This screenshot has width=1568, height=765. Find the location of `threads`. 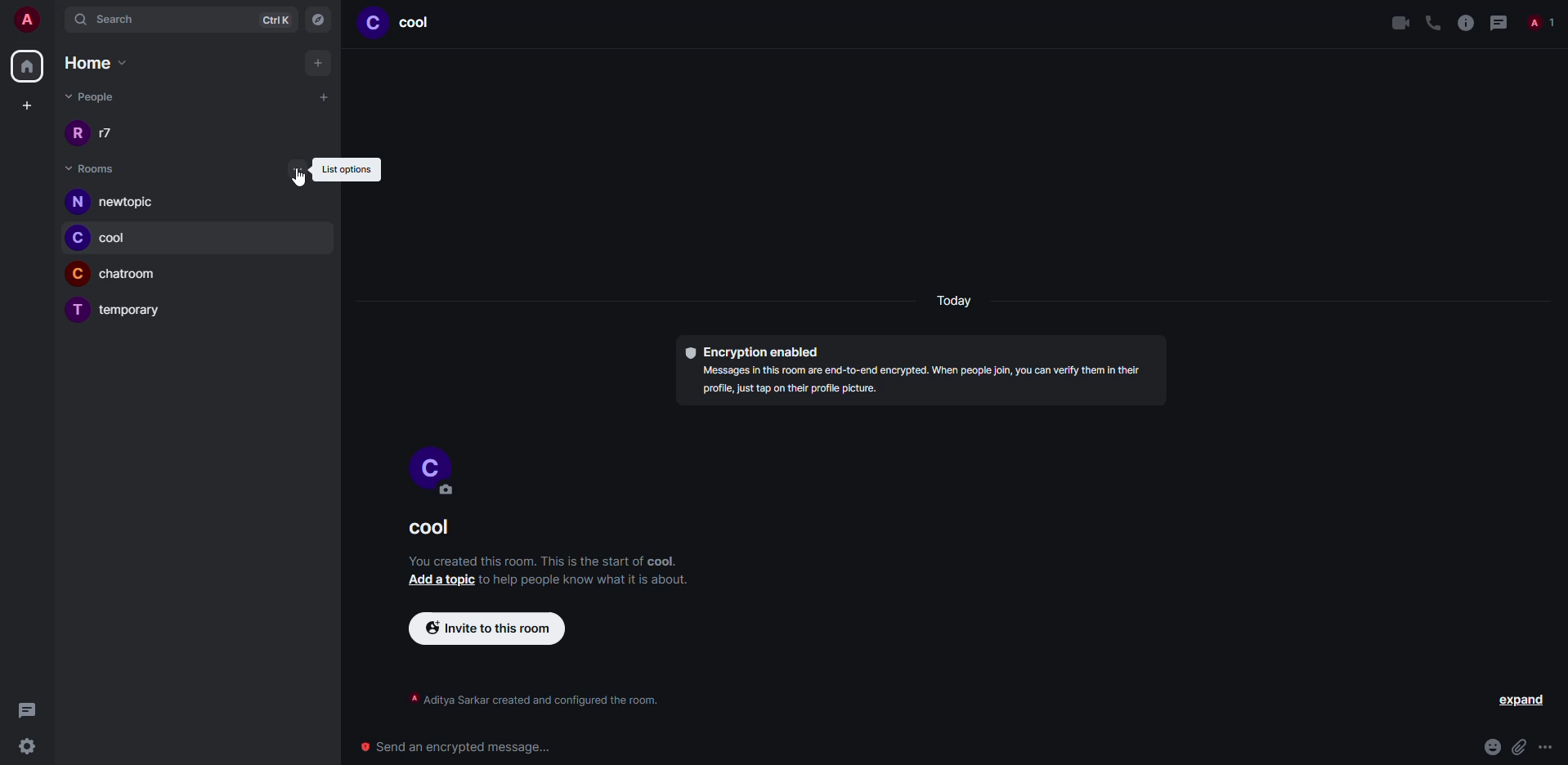

threads is located at coordinates (1497, 22).